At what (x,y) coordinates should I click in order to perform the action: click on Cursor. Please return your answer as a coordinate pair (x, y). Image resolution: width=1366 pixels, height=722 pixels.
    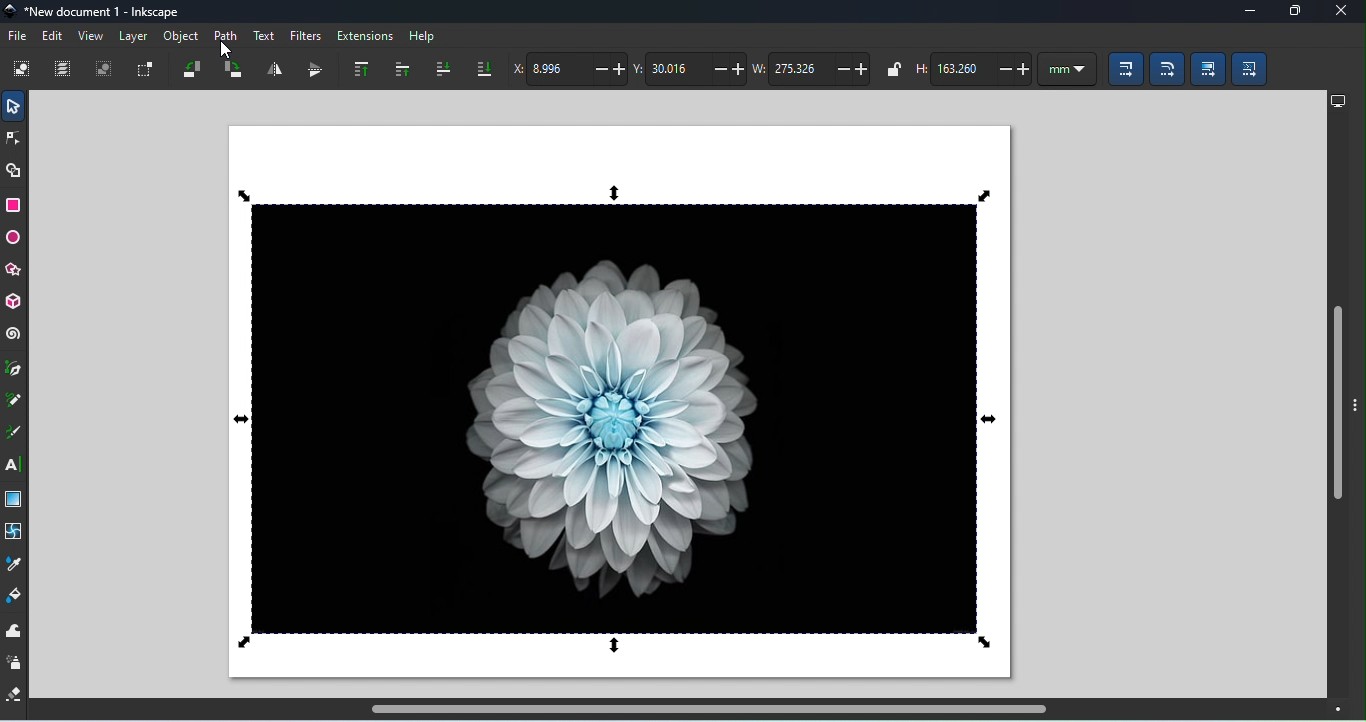
    Looking at the image, I should click on (228, 51).